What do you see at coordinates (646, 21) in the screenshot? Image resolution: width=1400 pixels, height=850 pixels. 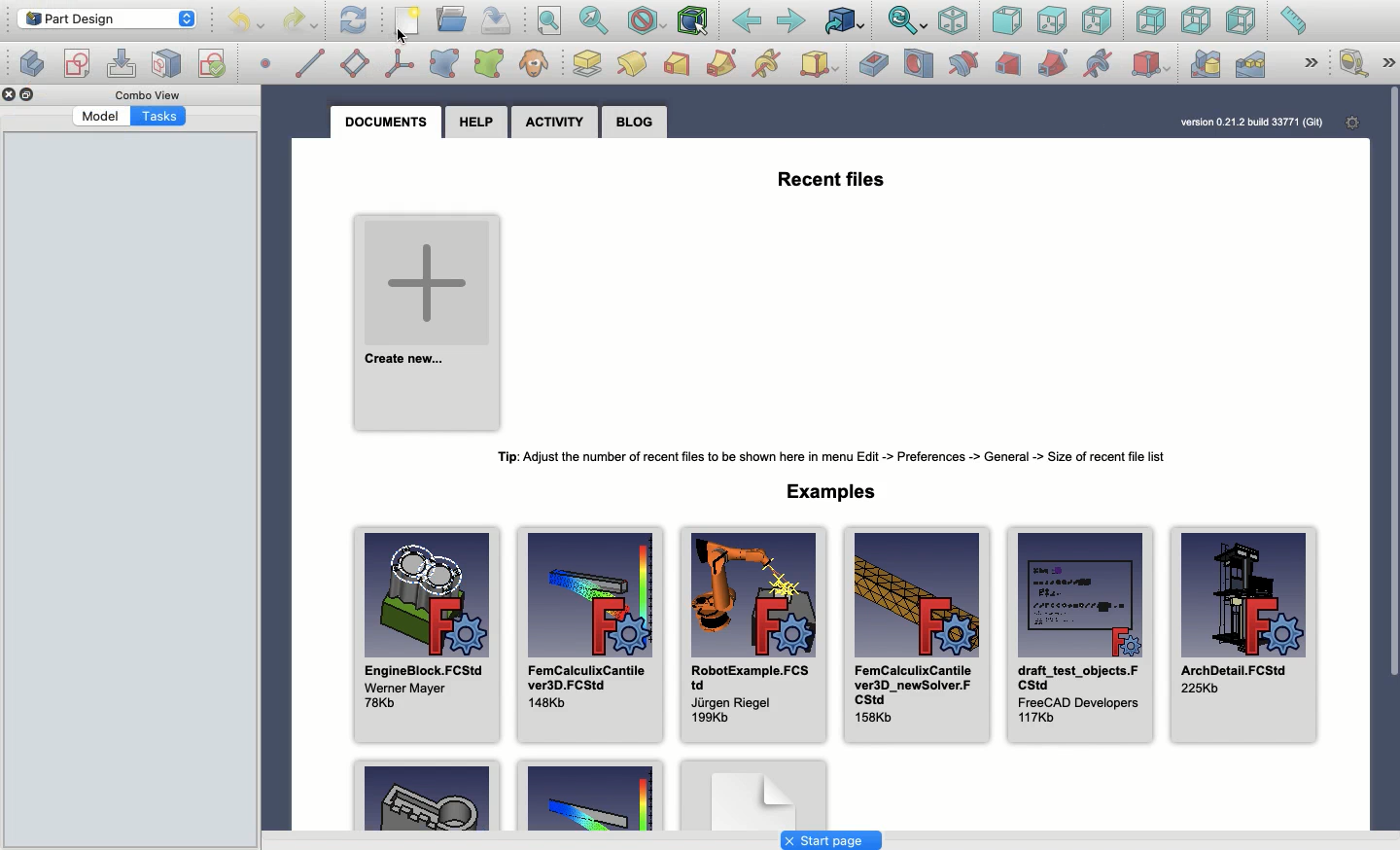 I see `Draw style` at bounding box center [646, 21].